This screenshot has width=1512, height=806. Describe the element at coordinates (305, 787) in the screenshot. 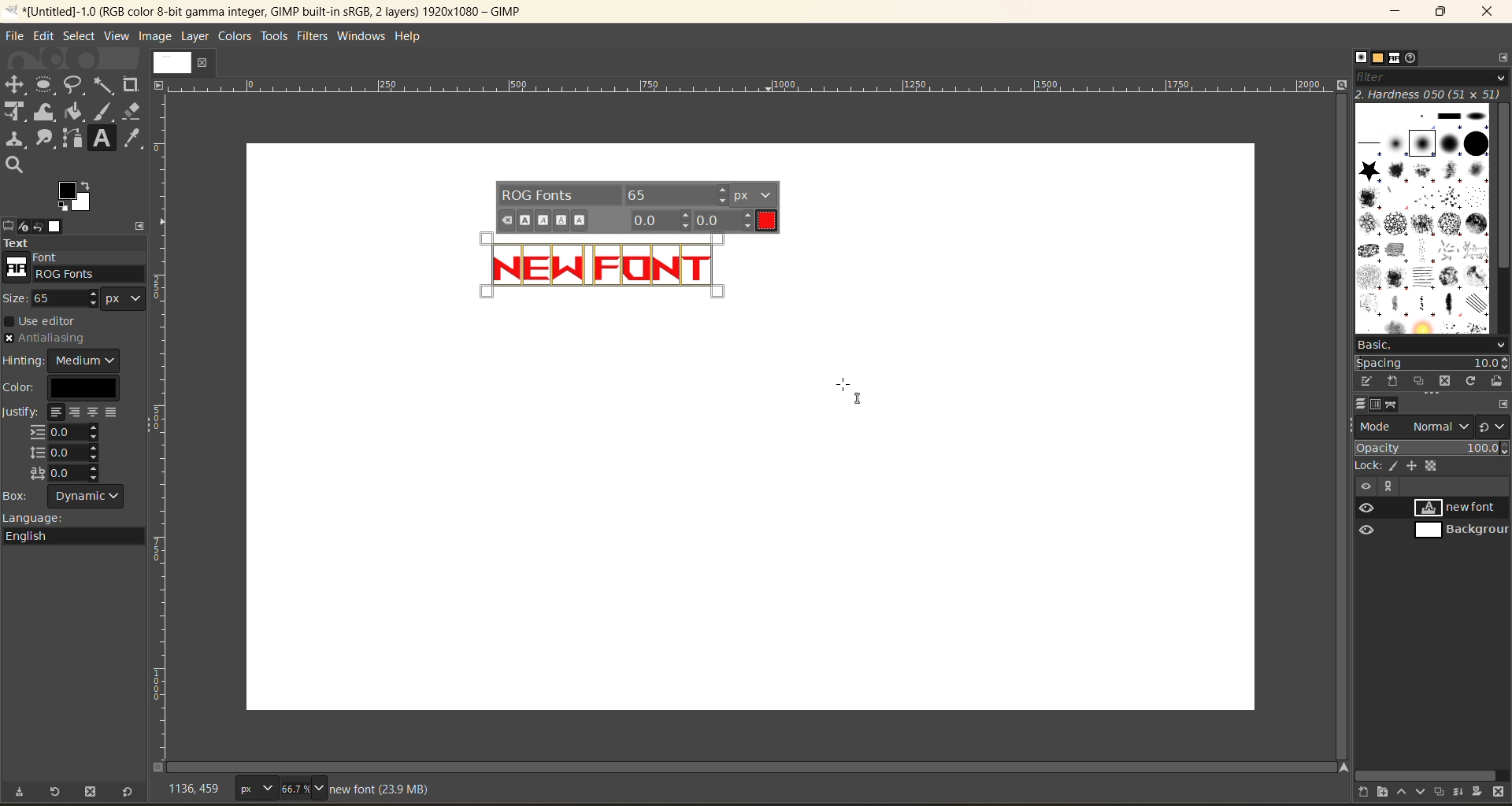

I see `zoom` at that location.